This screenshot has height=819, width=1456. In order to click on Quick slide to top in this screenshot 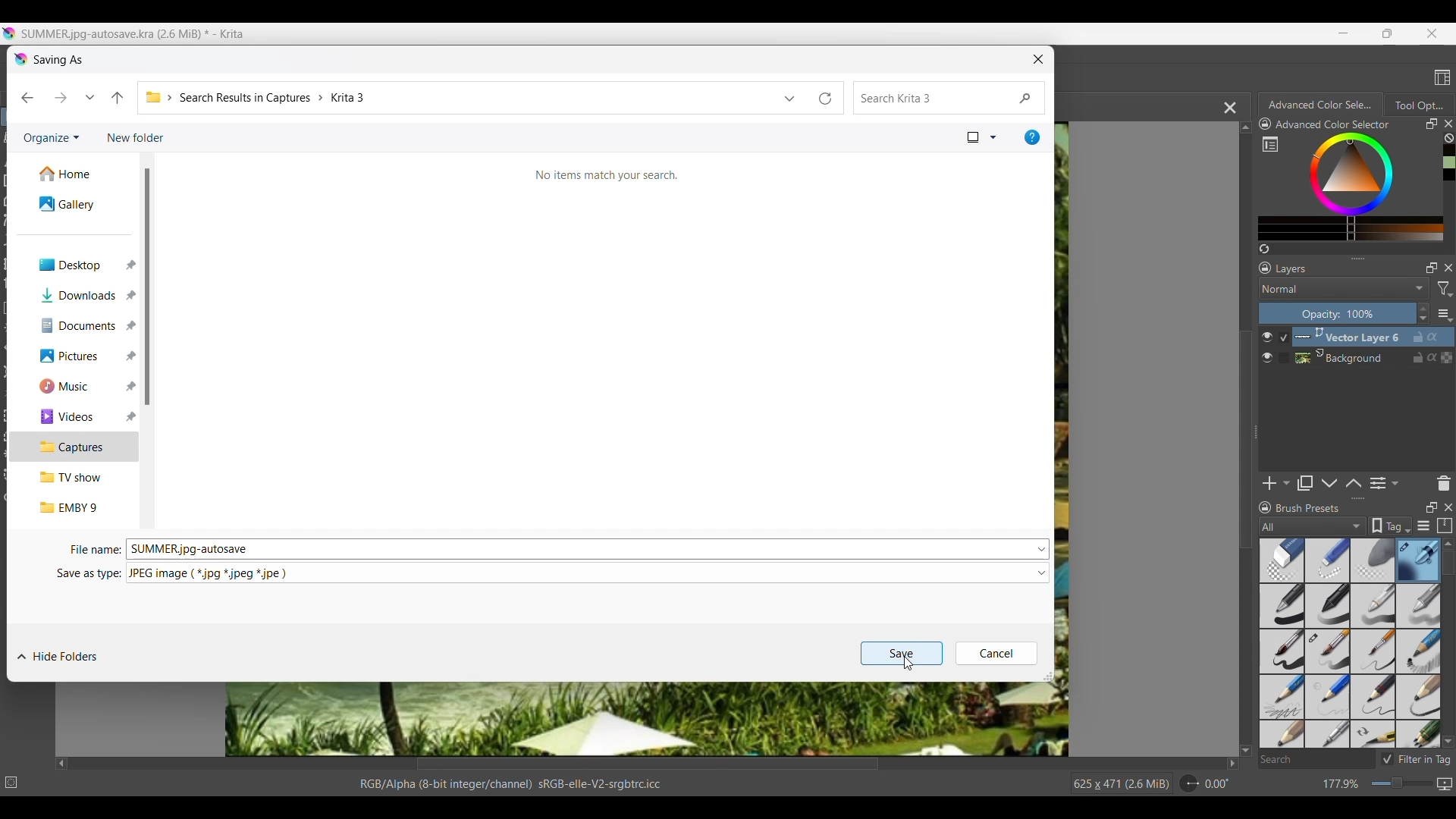, I will do `click(1448, 544)`.